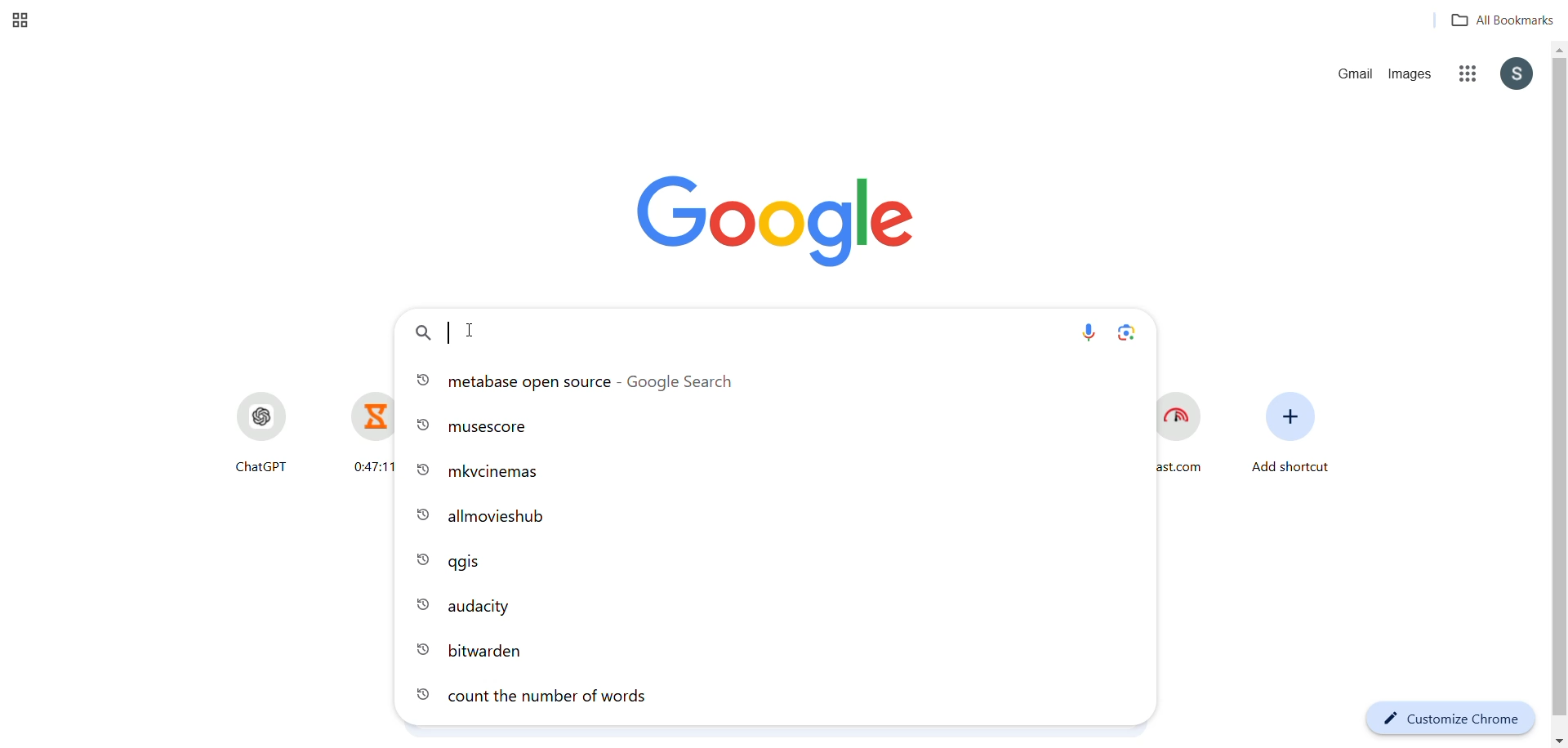 The image size is (1568, 748). Describe the element at coordinates (1091, 333) in the screenshot. I see `Mic` at that location.